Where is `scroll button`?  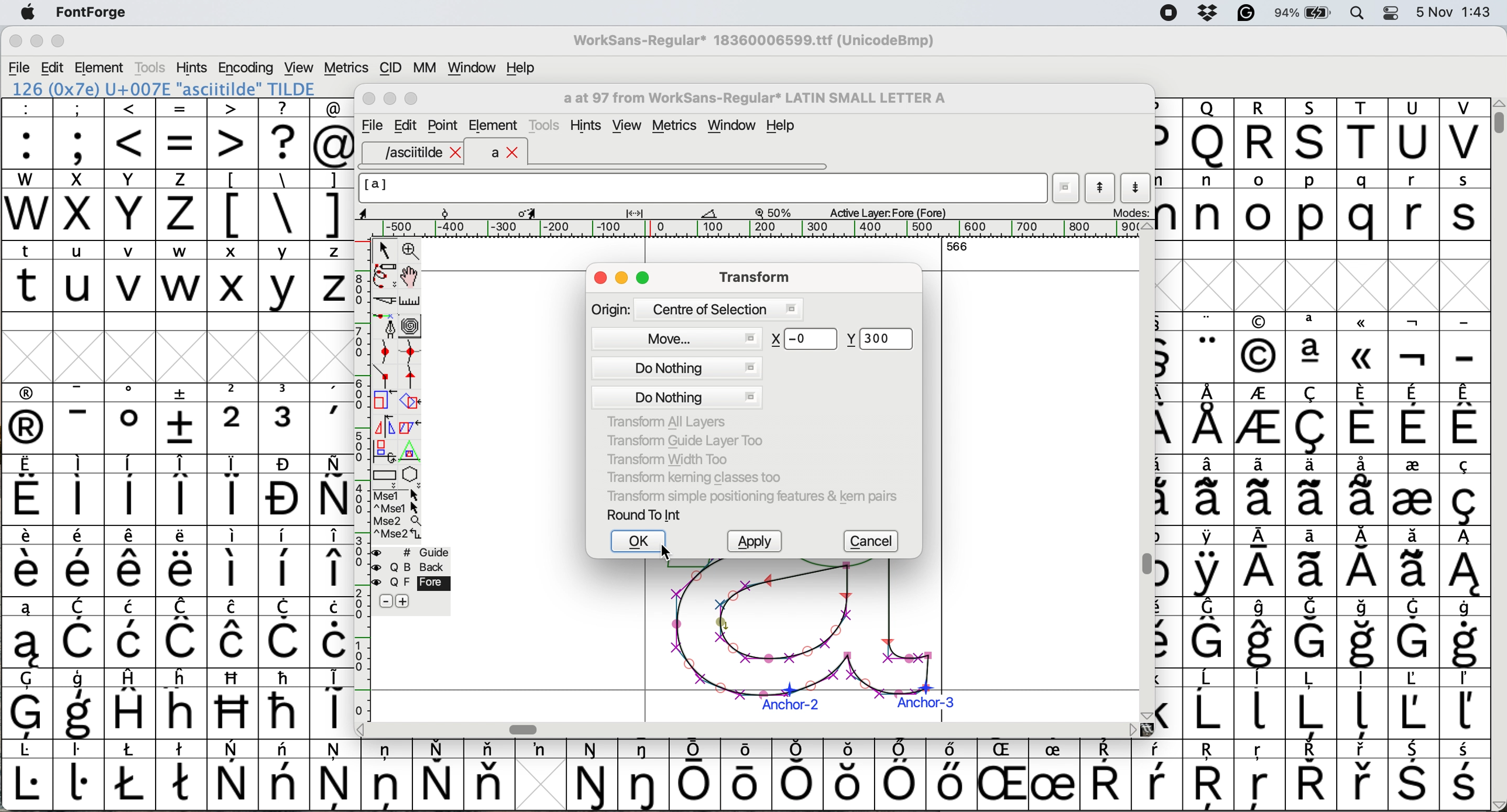
scroll button is located at coordinates (1145, 714).